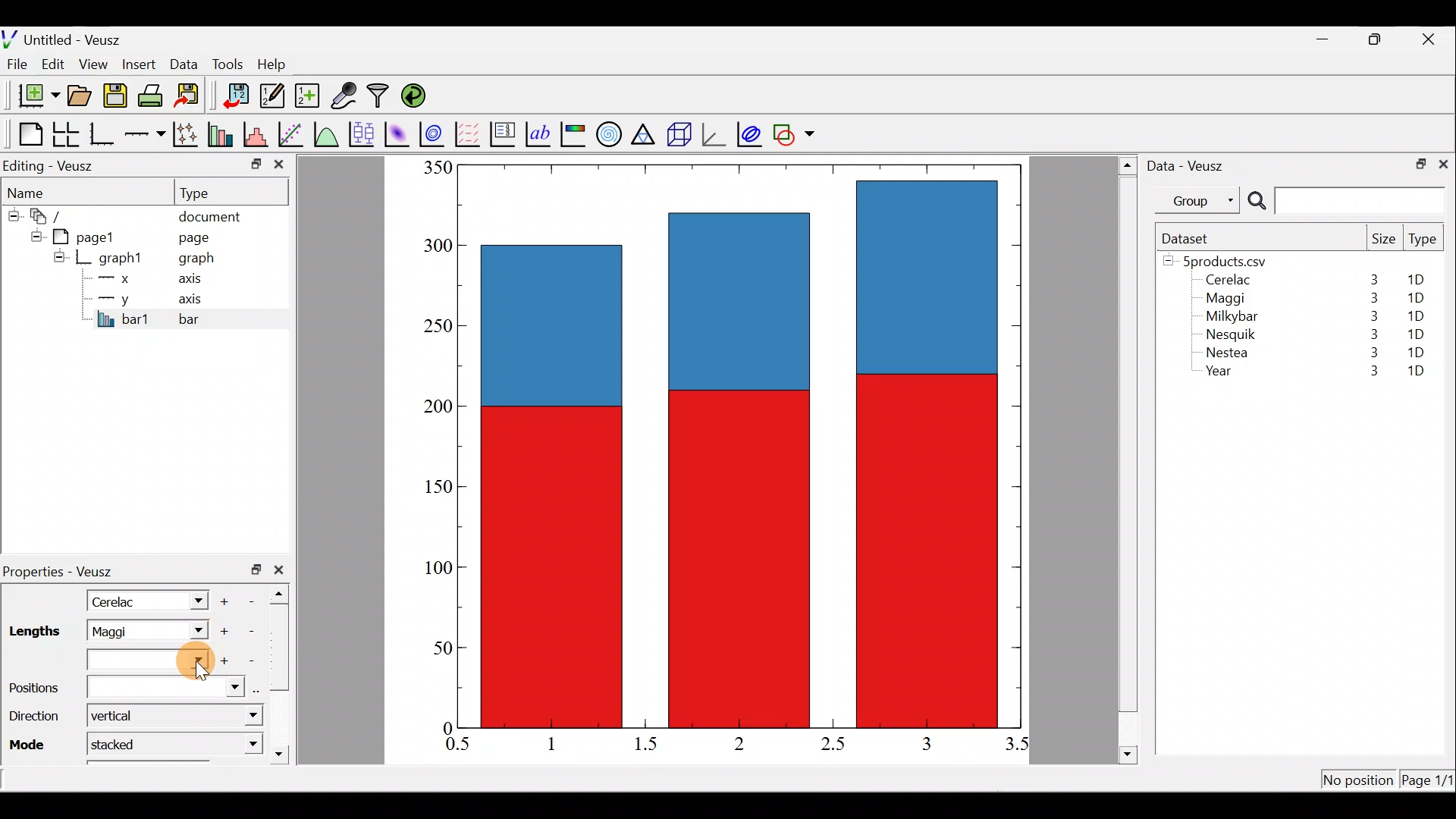 Image resolution: width=1456 pixels, height=819 pixels. What do you see at coordinates (751, 133) in the screenshot?
I see `plot covariance ellipses` at bounding box center [751, 133].